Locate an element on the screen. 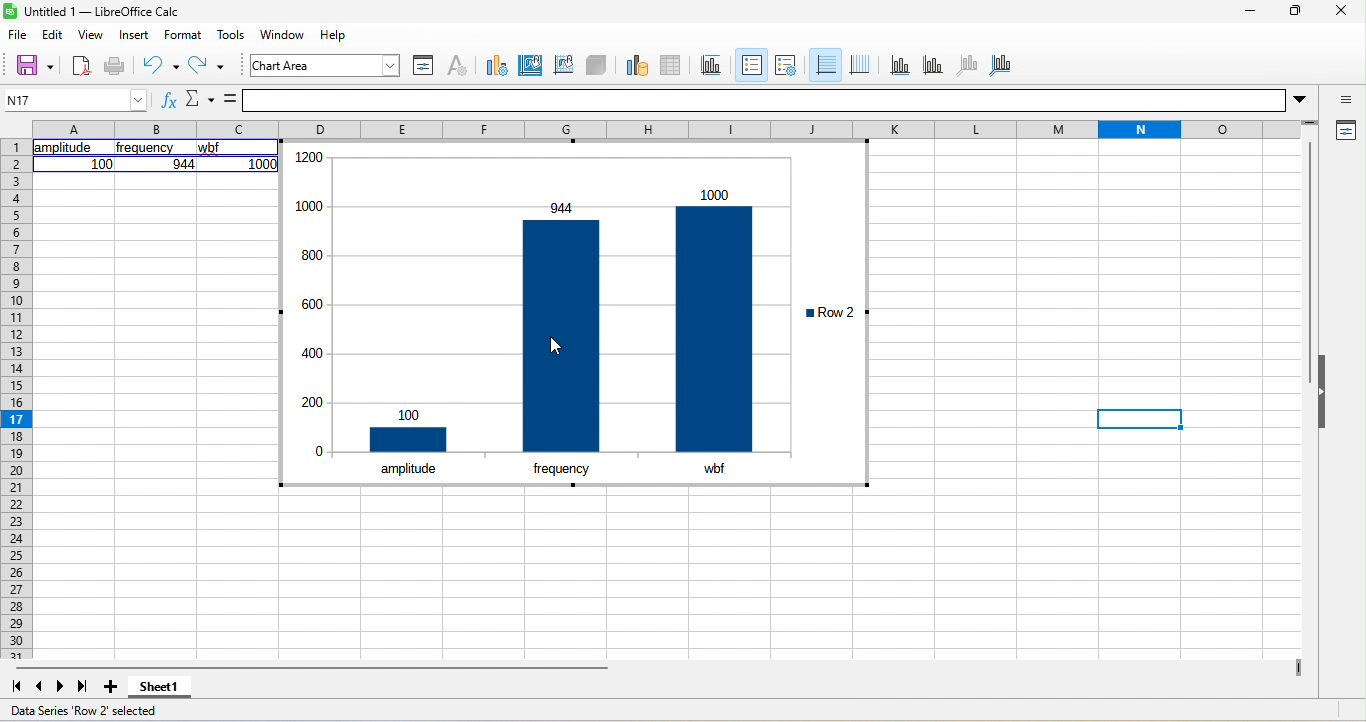  previous sheet is located at coordinates (41, 687).